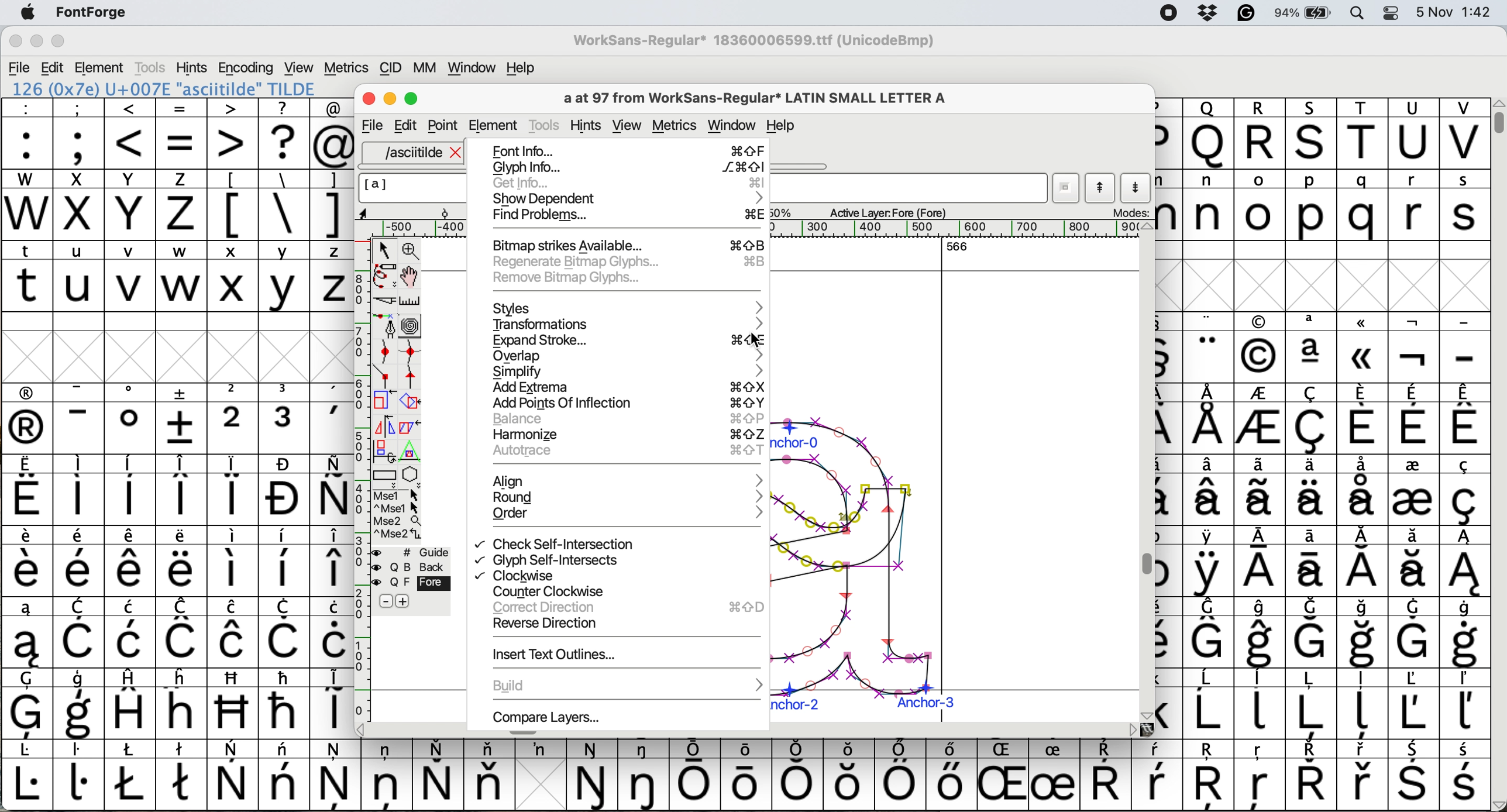 Image resolution: width=1507 pixels, height=812 pixels. Describe the element at coordinates (627, 685) in the screenshot. I see `build` at that location.